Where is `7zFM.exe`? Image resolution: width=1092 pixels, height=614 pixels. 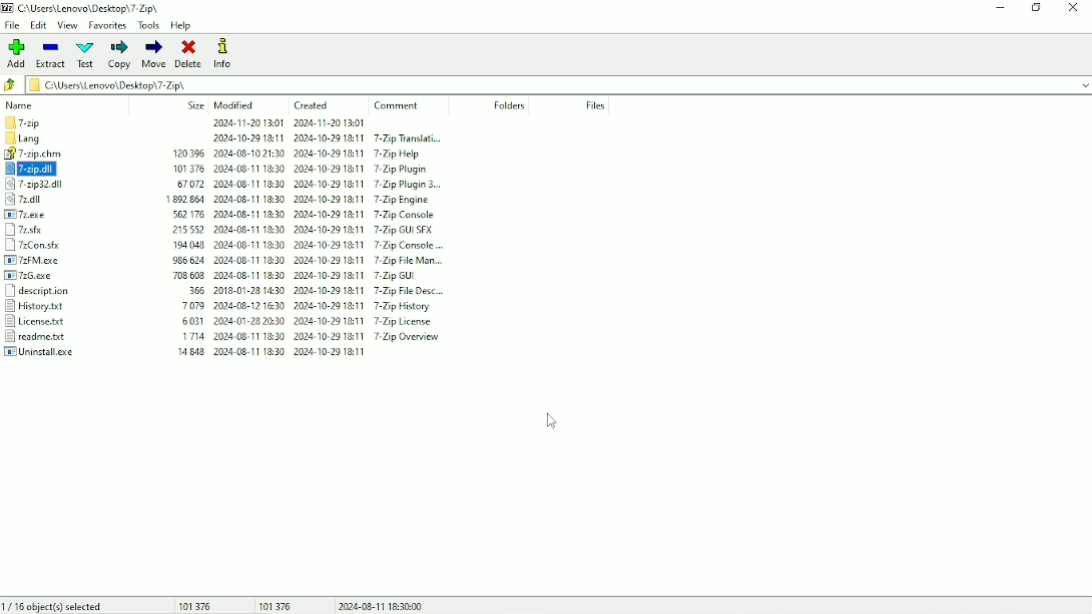
7zFM.exe is located at coordinates (41, 260).